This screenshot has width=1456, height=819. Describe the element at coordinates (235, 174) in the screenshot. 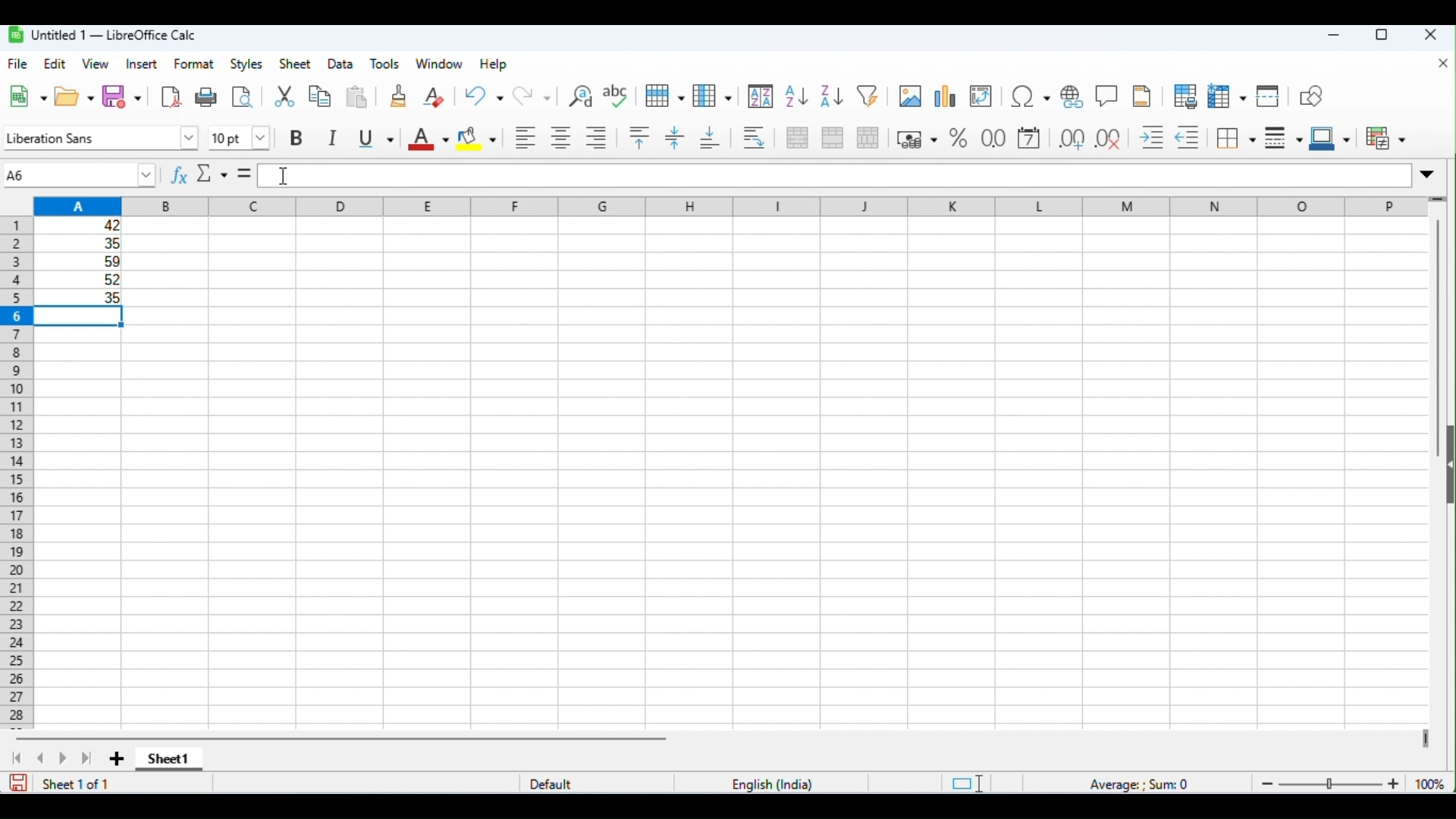

I see `accept` at that location.